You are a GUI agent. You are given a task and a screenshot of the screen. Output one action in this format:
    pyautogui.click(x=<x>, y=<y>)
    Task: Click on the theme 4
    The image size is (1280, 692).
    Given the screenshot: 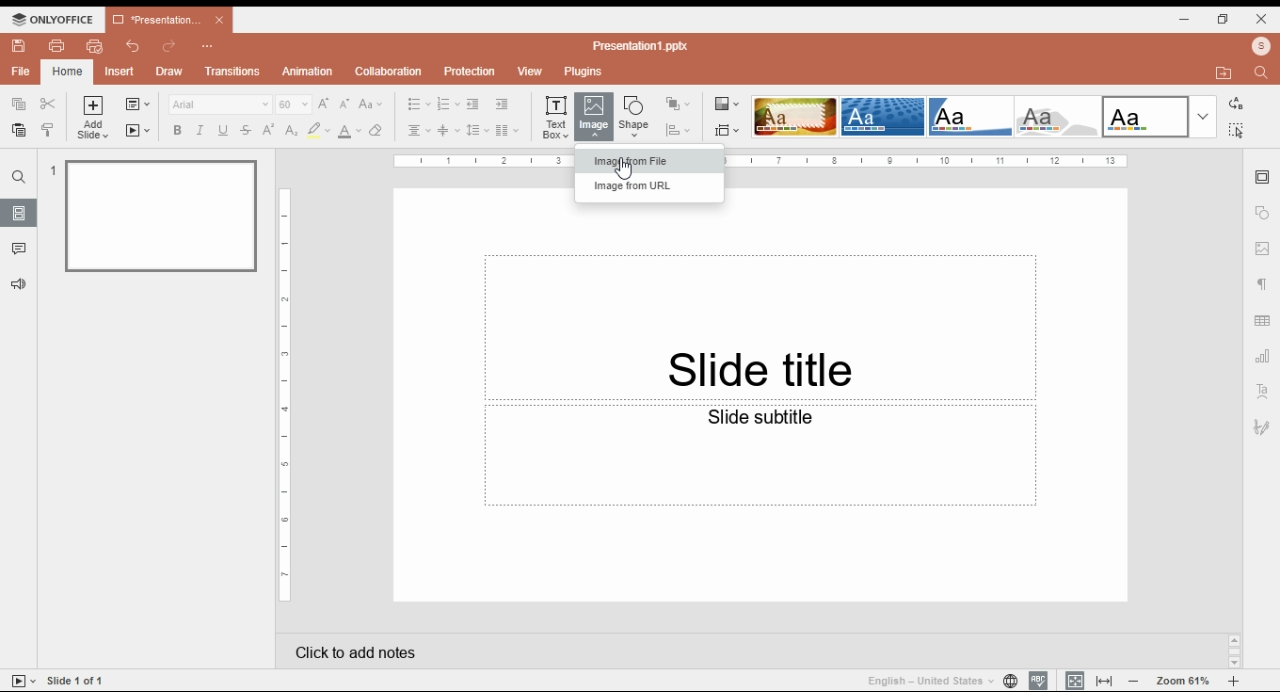 What is the action you would take?
    pyautogui.click(x=1056, y=117)
    